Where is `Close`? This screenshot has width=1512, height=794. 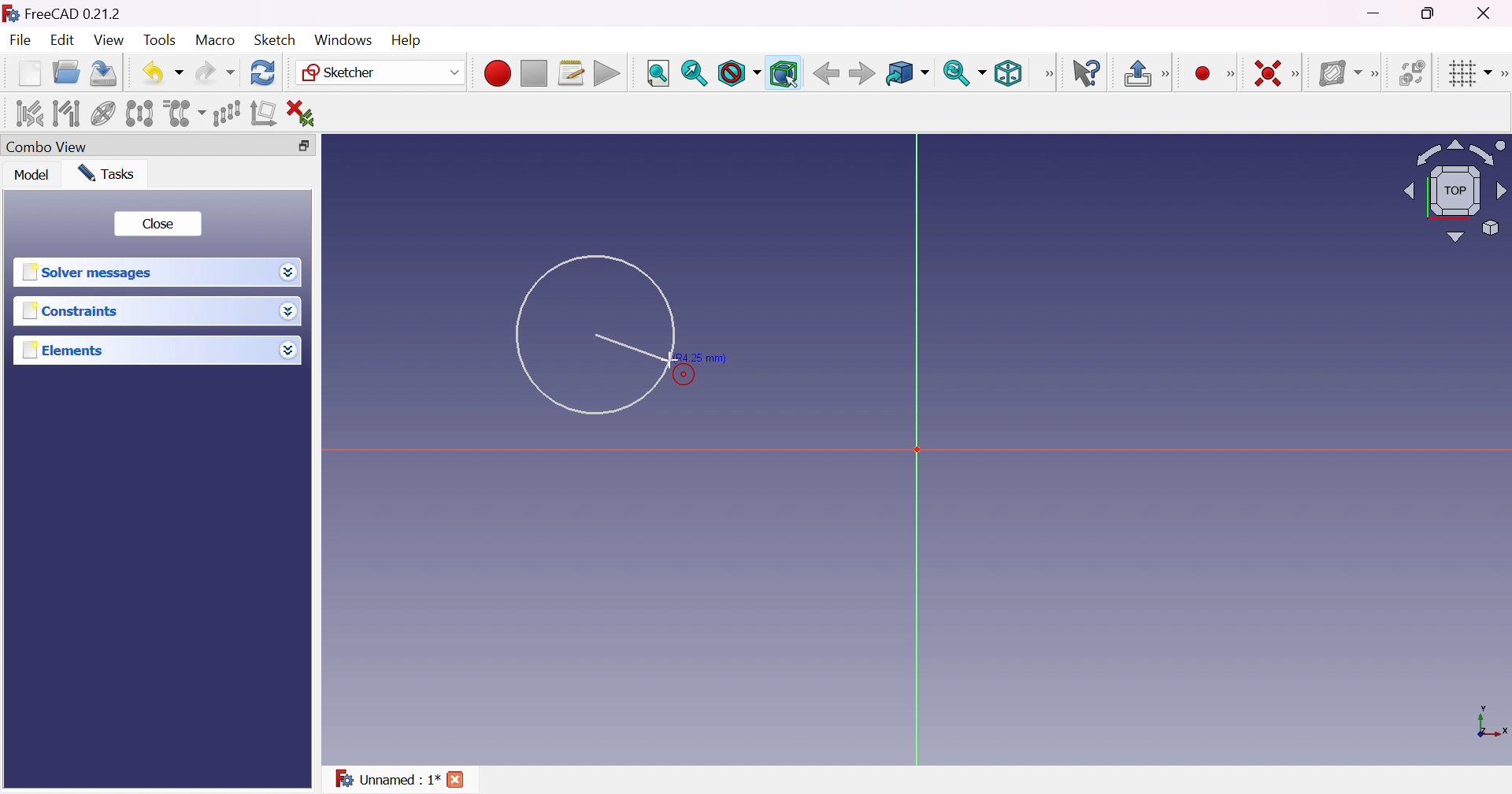 Close is located at coordinates (1492, 13).